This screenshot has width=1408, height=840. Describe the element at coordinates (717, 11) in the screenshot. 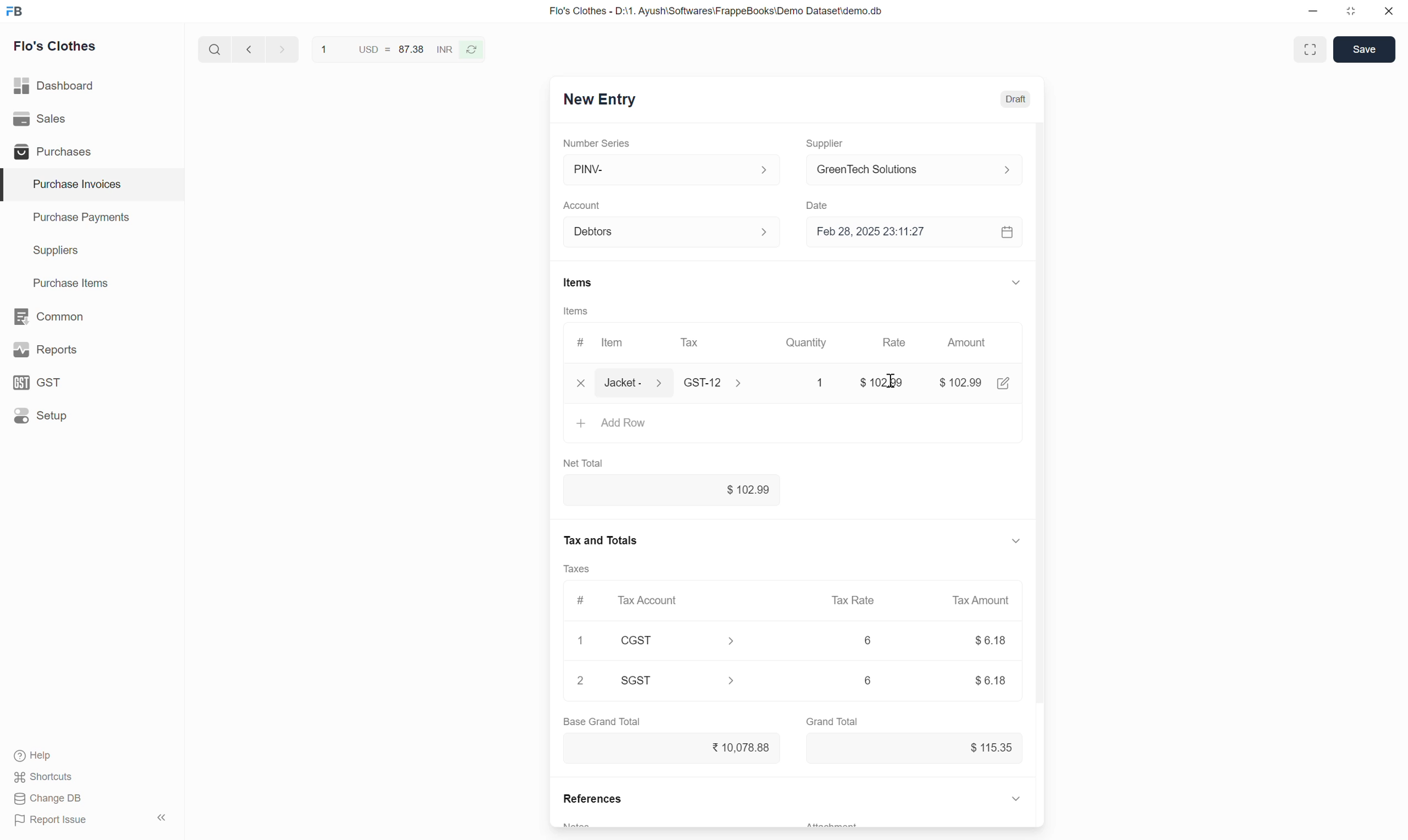

I see `Flo's Clothes - D:\1. Ayush\Softwares\FrappeBooks\Demo Dataset\demo.db` at that location.